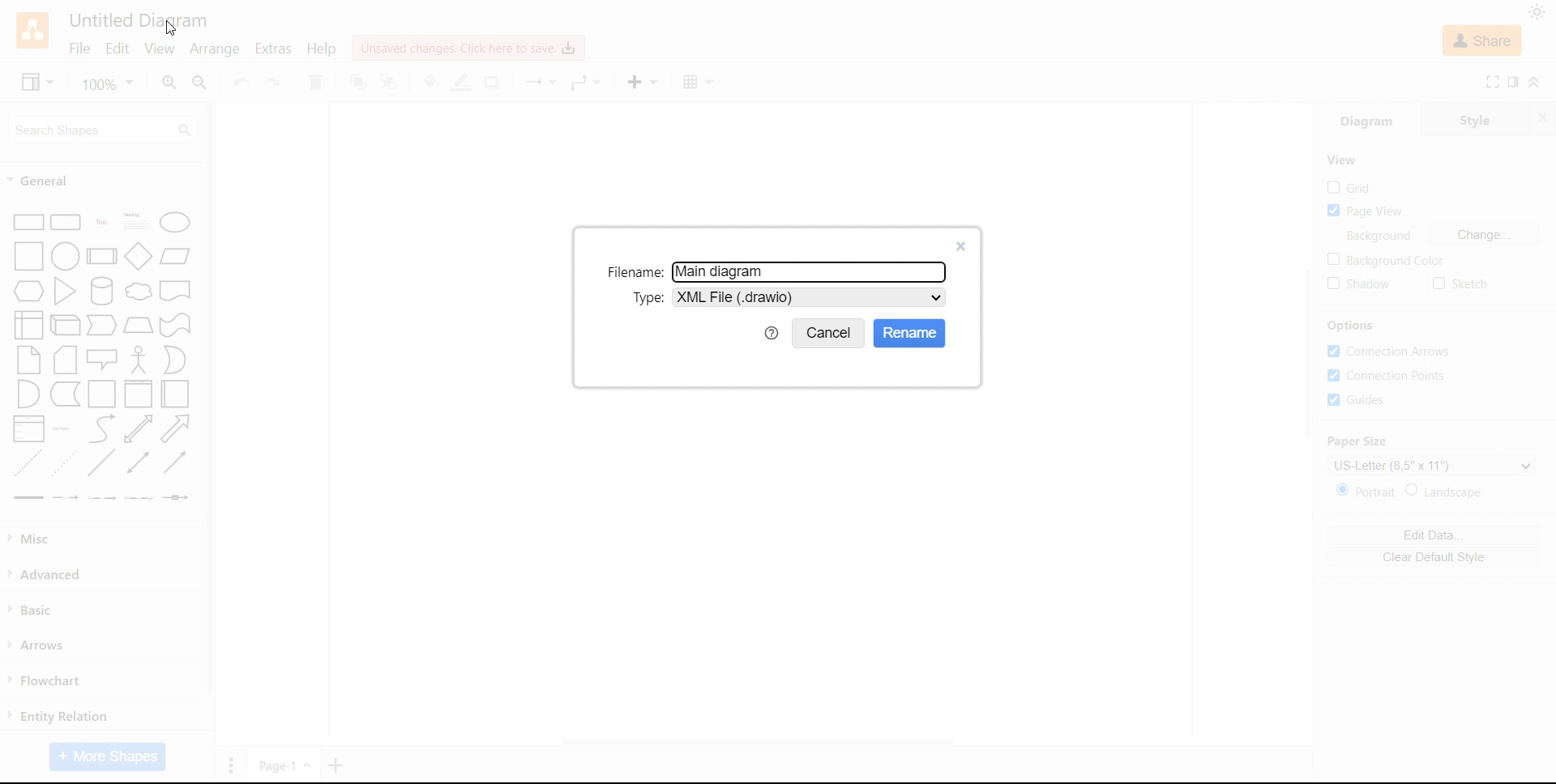 The image size is (1556, 784). What do you see at coordinates (1356, 399) in the screenshot?
I see `guides ` at bounding box center [1356, 399].